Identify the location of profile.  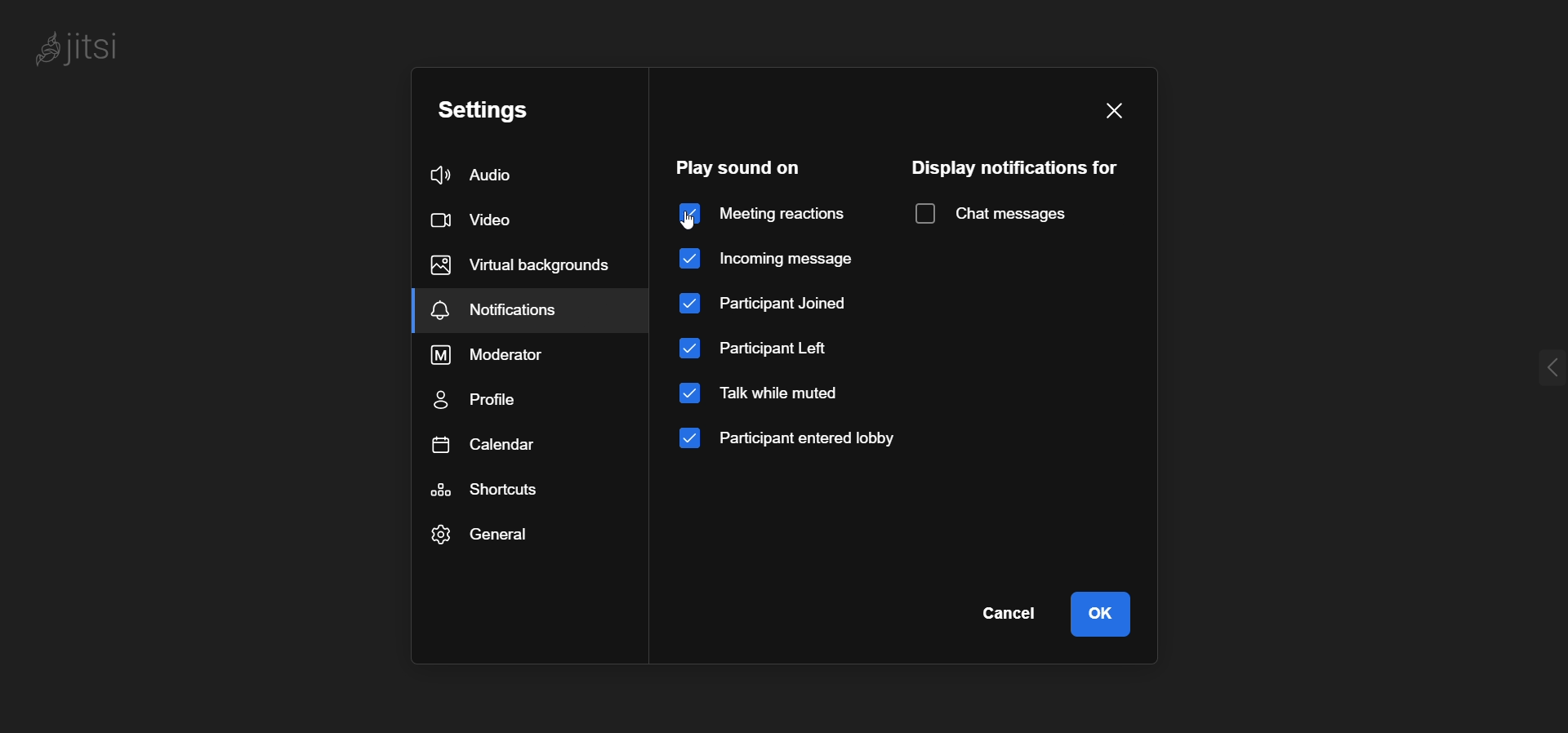
(485, 398).